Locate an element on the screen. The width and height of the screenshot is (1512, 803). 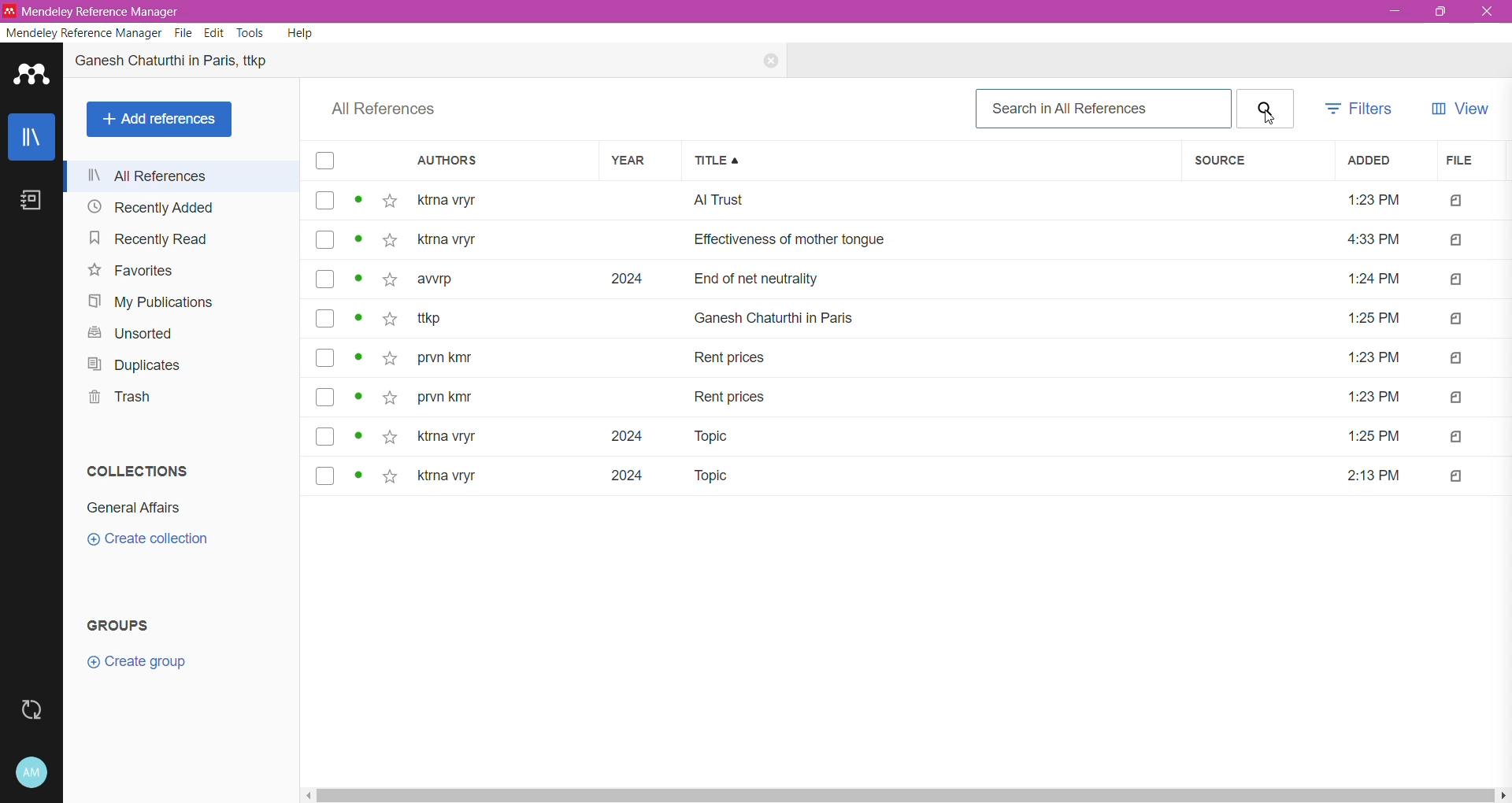
- awrp 2024 End of net neutrality 1:24 PM is located at coordinates (911, 278).